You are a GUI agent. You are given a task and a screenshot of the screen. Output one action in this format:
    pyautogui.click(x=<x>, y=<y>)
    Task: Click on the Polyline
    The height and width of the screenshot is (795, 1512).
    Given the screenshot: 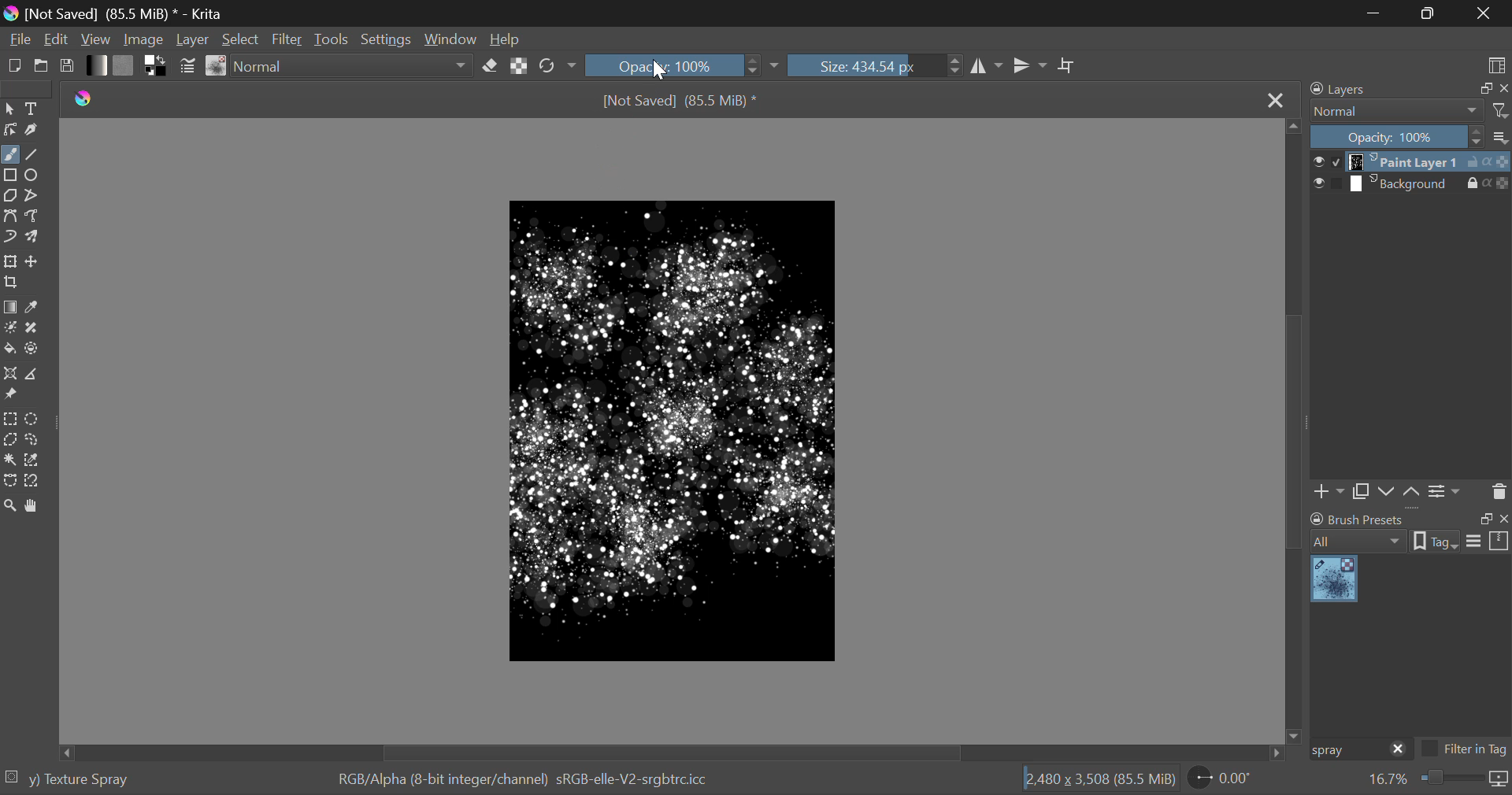 What is the action you would take?
    pyautogui.click(x=33, y=196)
    